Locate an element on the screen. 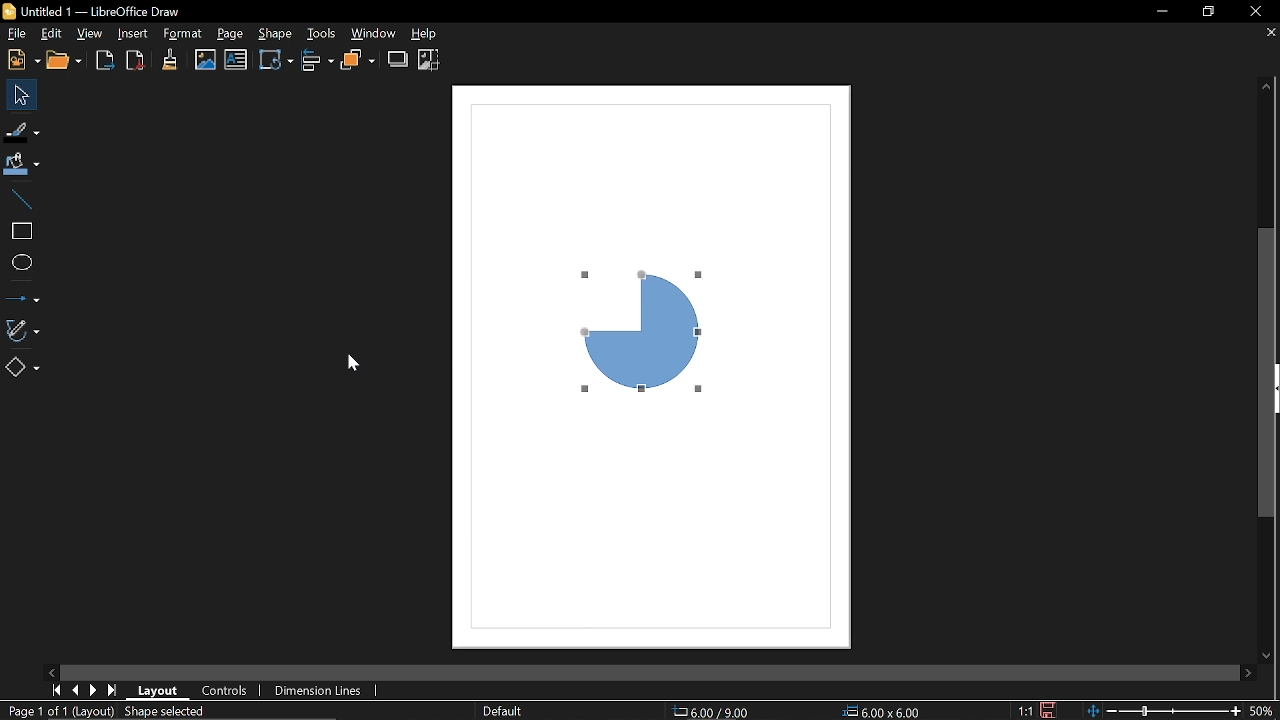  Lines and arrows is located at coordinates (24, 293).